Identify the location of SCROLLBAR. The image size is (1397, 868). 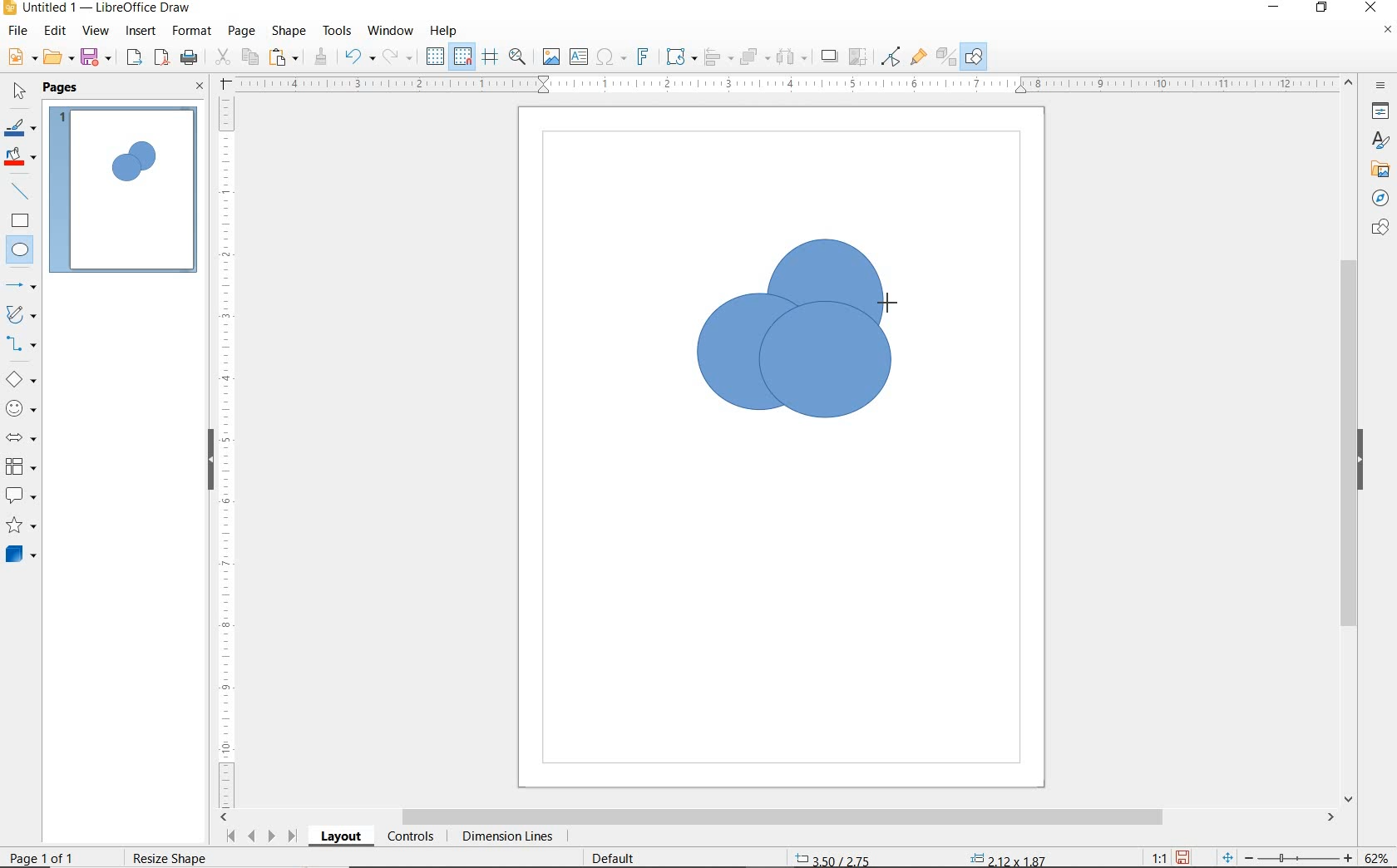
(778, 818).